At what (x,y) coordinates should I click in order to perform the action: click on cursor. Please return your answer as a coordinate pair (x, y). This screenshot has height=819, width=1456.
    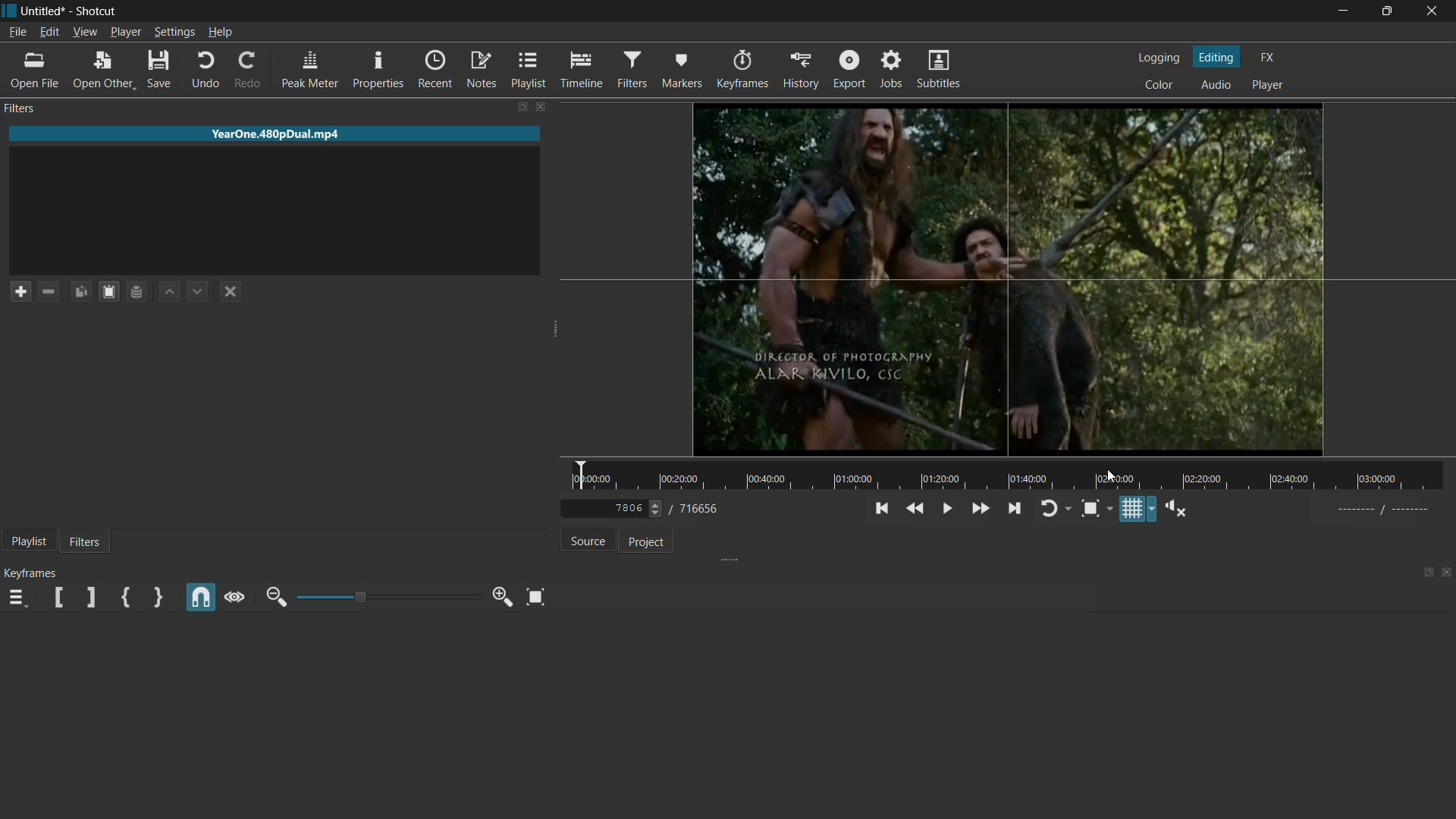
    Looking at the image, I should click on (1109, 478).